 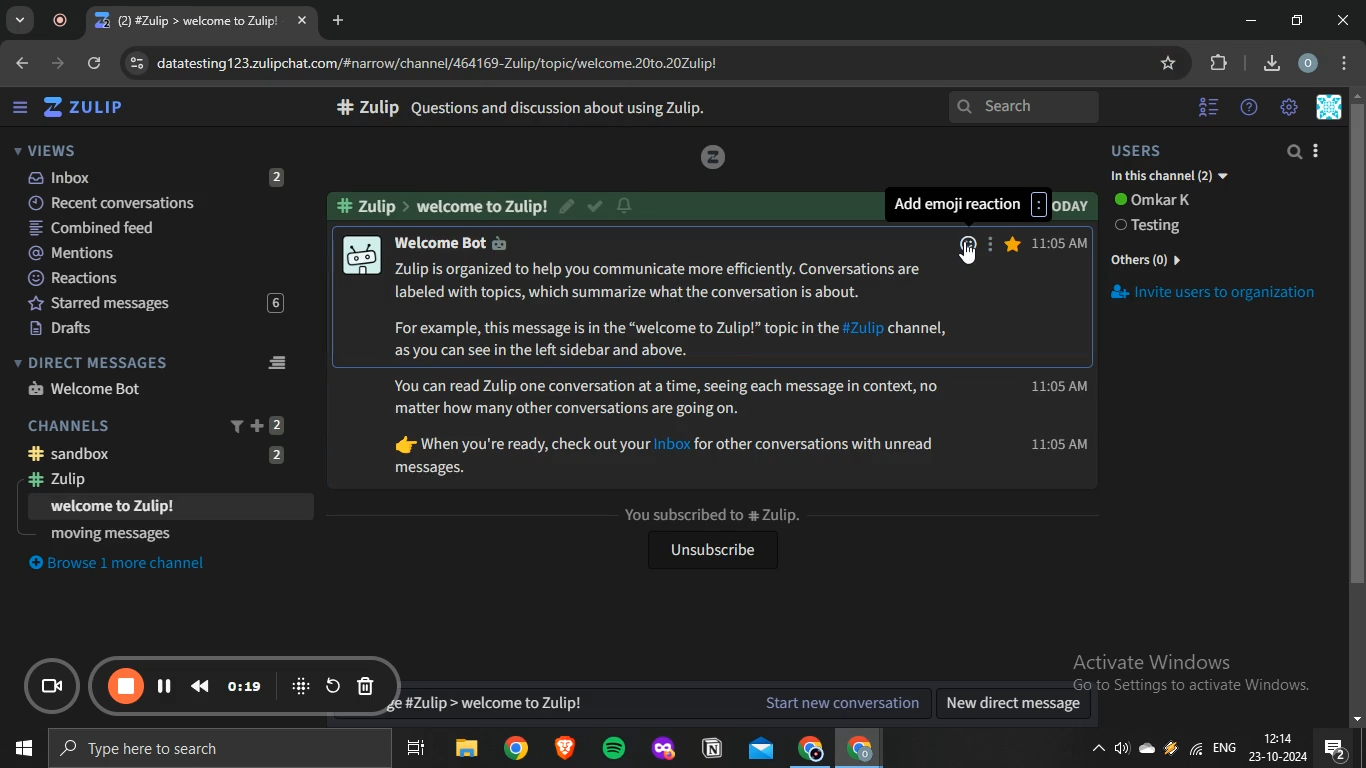 What do you see at coordinates (559, 108) in the screenshot?
I see `Inbox Overview of your conversations with unread messages.` at bounding box center [559, 108].